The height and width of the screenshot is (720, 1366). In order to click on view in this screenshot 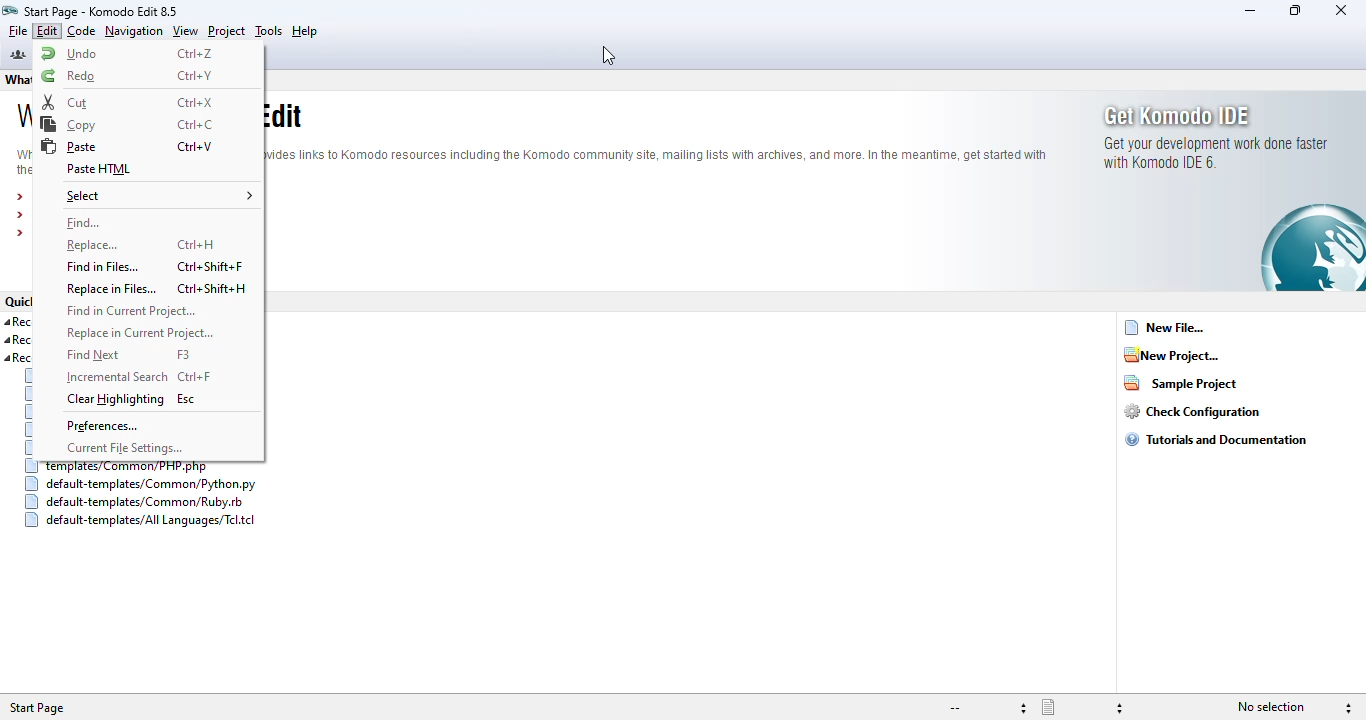, I will do `click(185, 31)`.